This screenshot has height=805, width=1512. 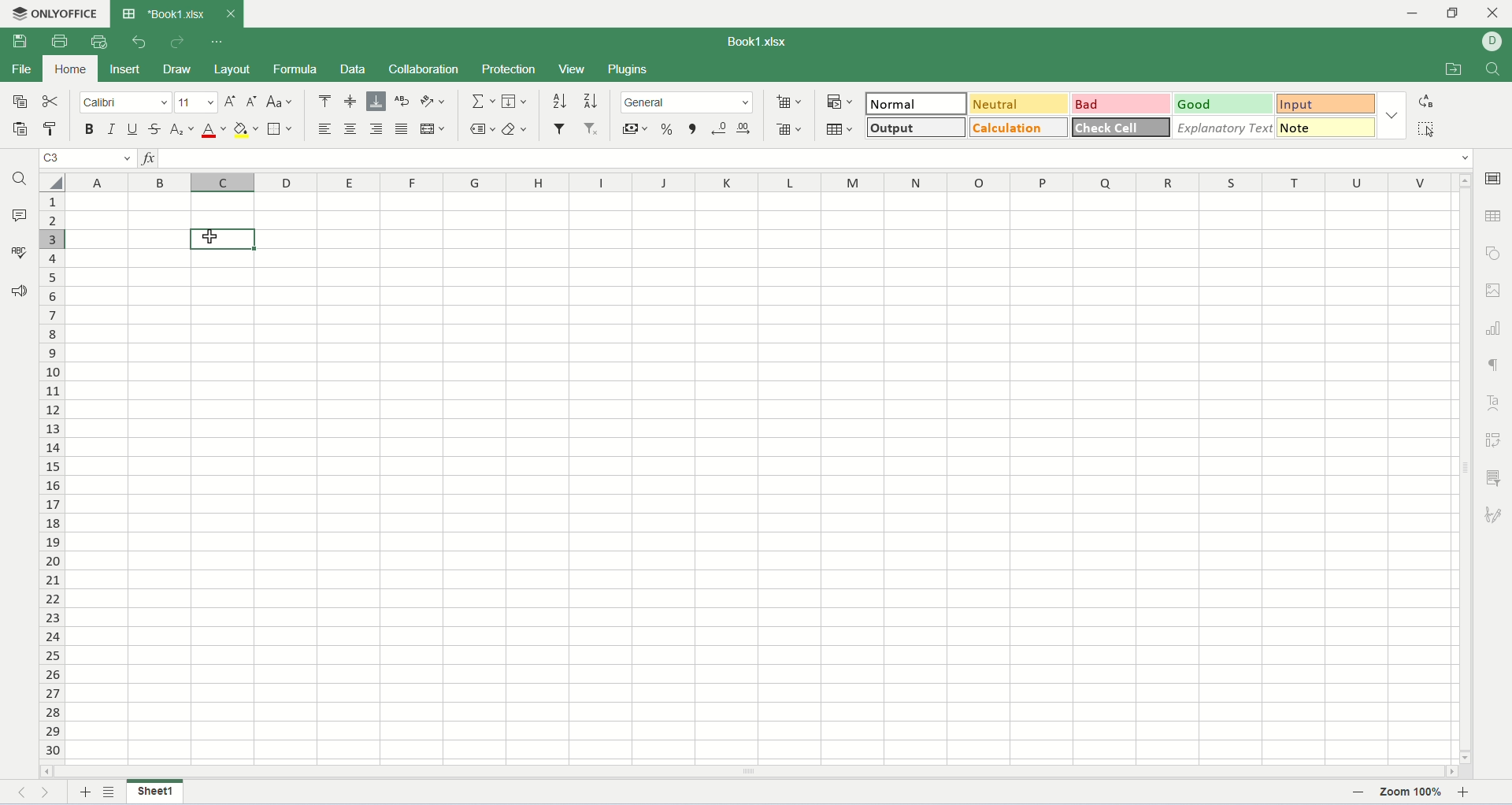 What do you see at coordinates (211, 130) in the screenshot?
I see `font color` at bounding box center [211, 130].